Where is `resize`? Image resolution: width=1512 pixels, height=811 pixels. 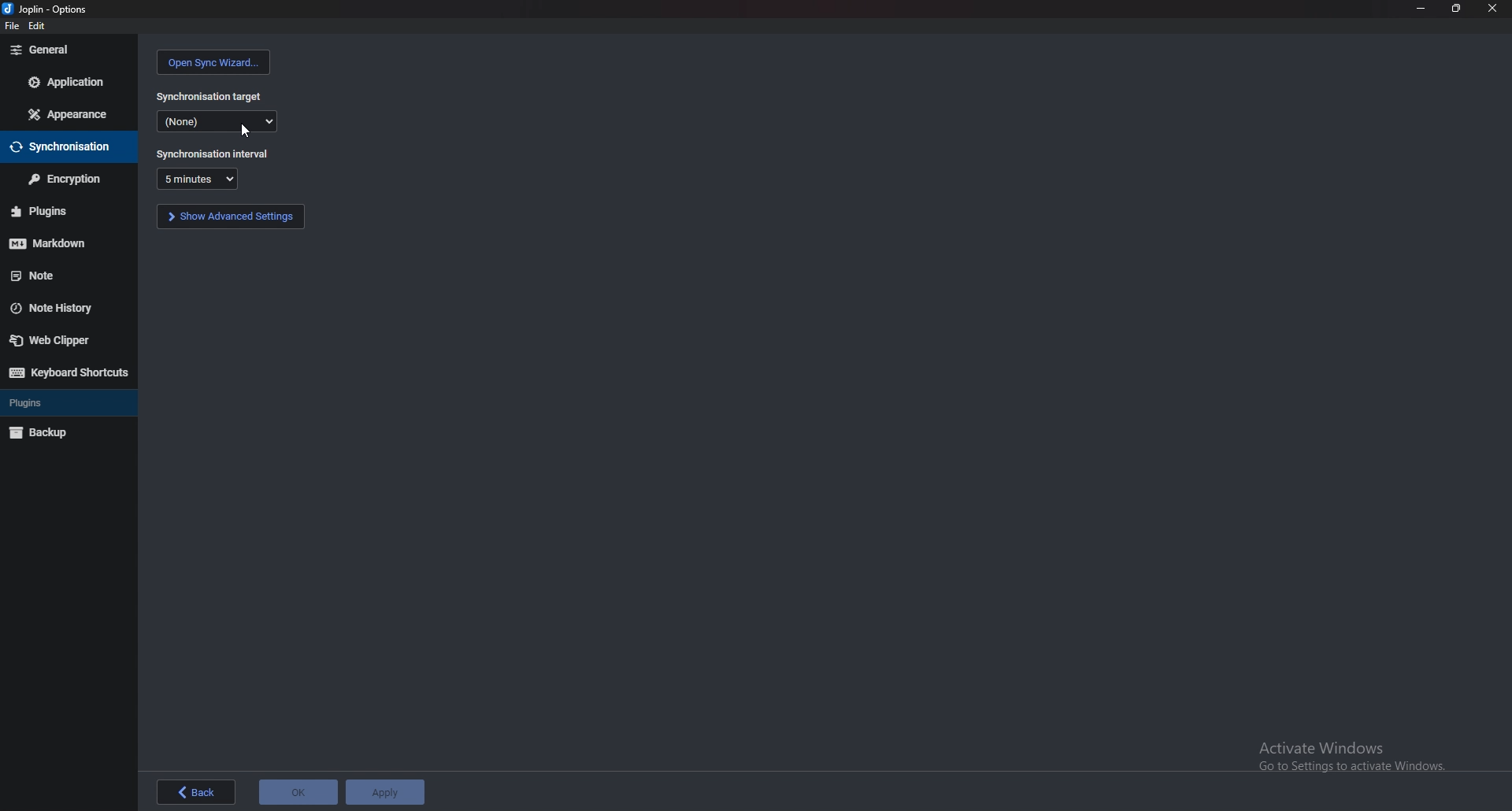 resize is located at coordinates (1458, 9).